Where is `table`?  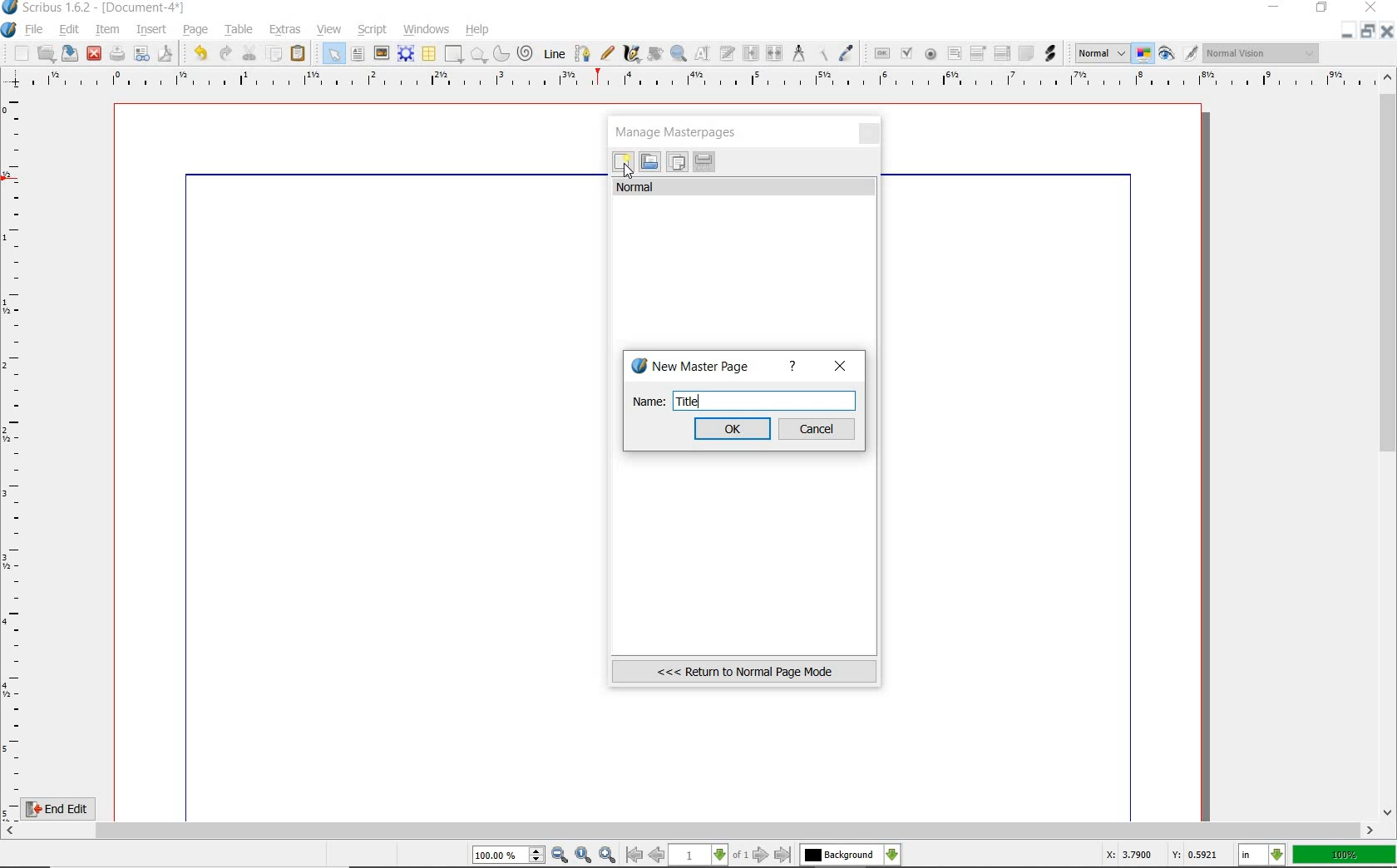
table is located at coordinates (428, 54).